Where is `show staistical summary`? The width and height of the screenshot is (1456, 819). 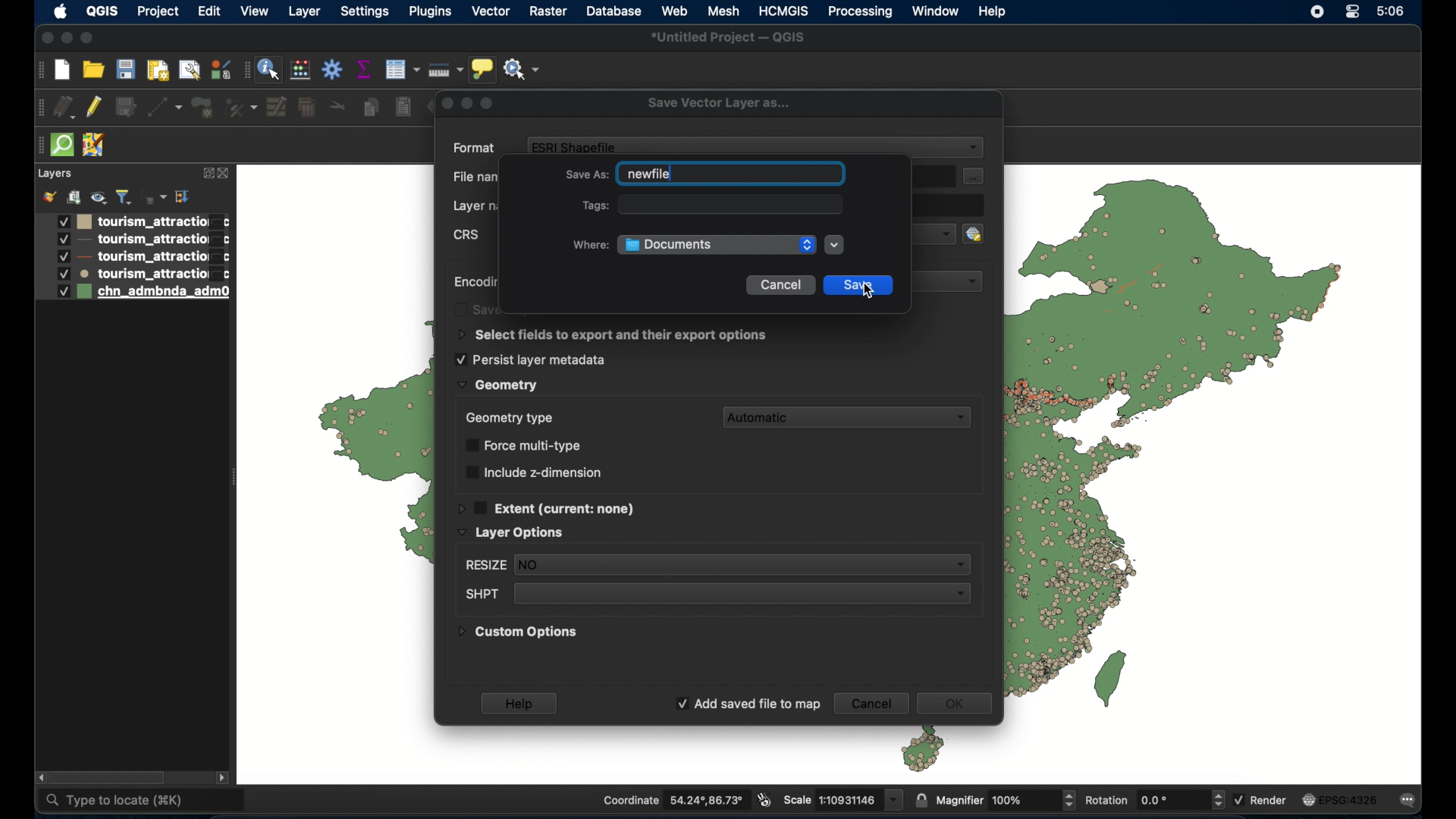
show staistical summary is located at coordinates (364, 69).